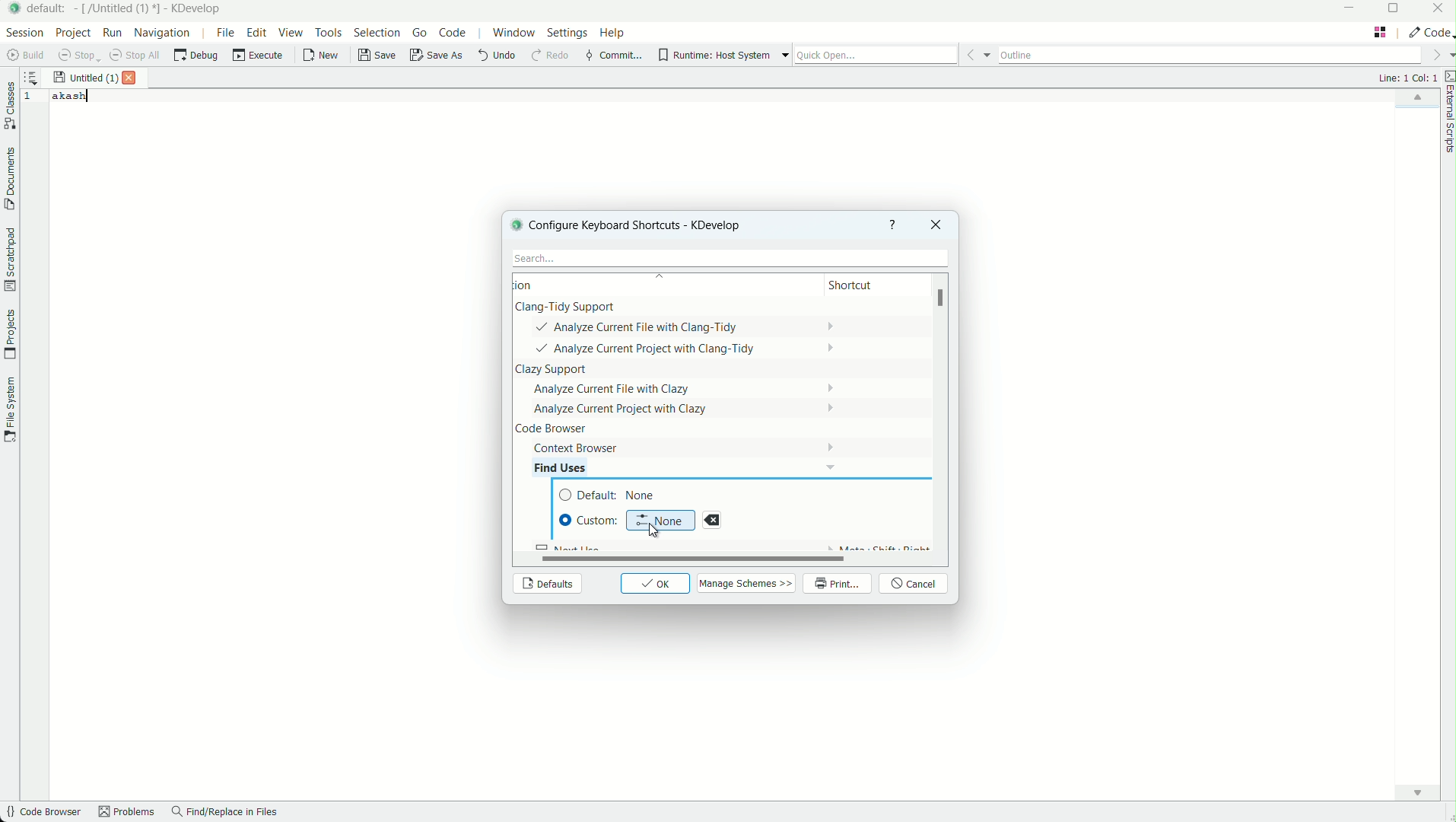 The image size is (1456, 822). Describe the element at coordinates (9, 179) in the screenshot. I see `documents` at that location.